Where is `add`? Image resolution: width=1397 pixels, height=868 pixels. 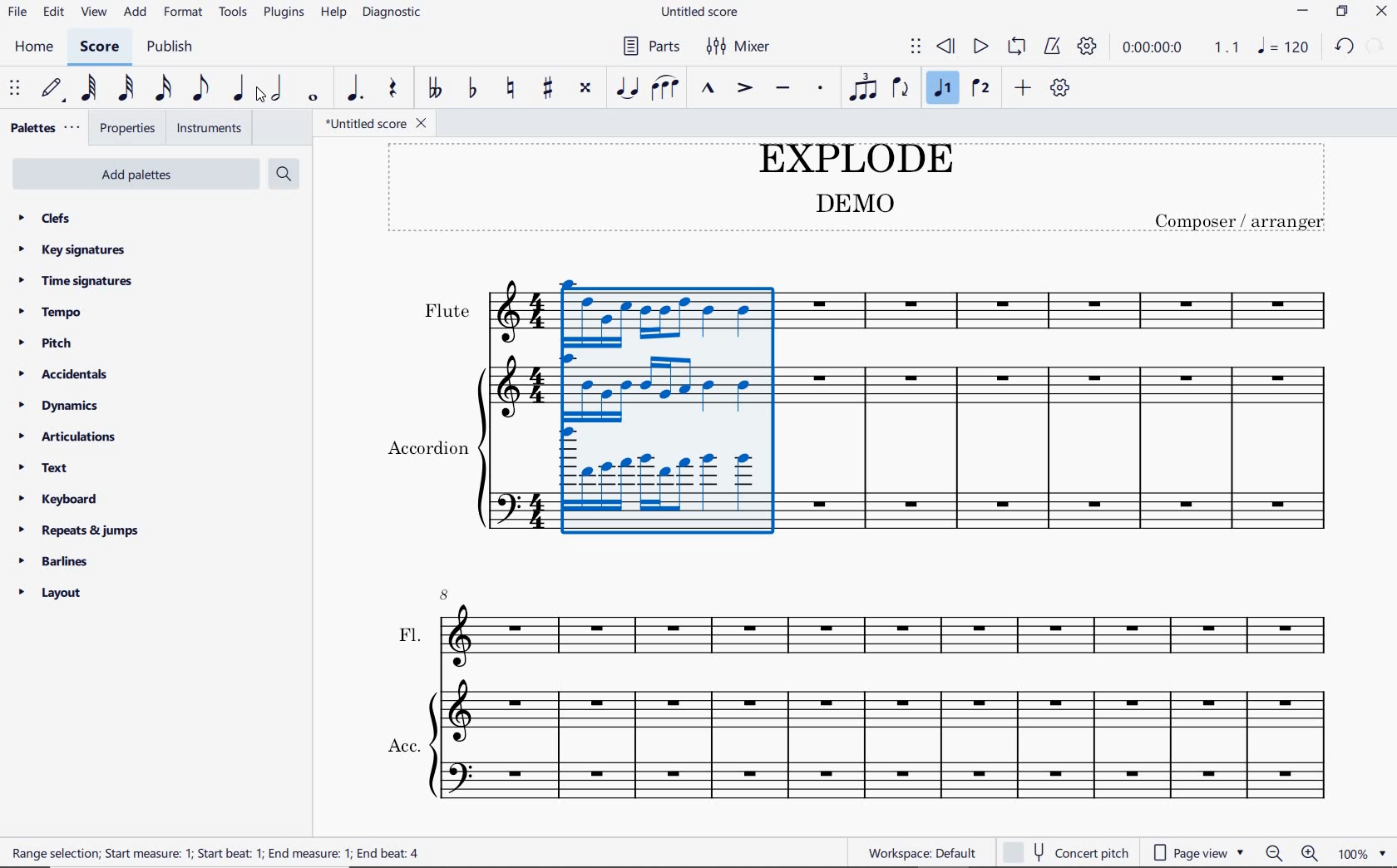
add is located at coordinates (1023, 90).